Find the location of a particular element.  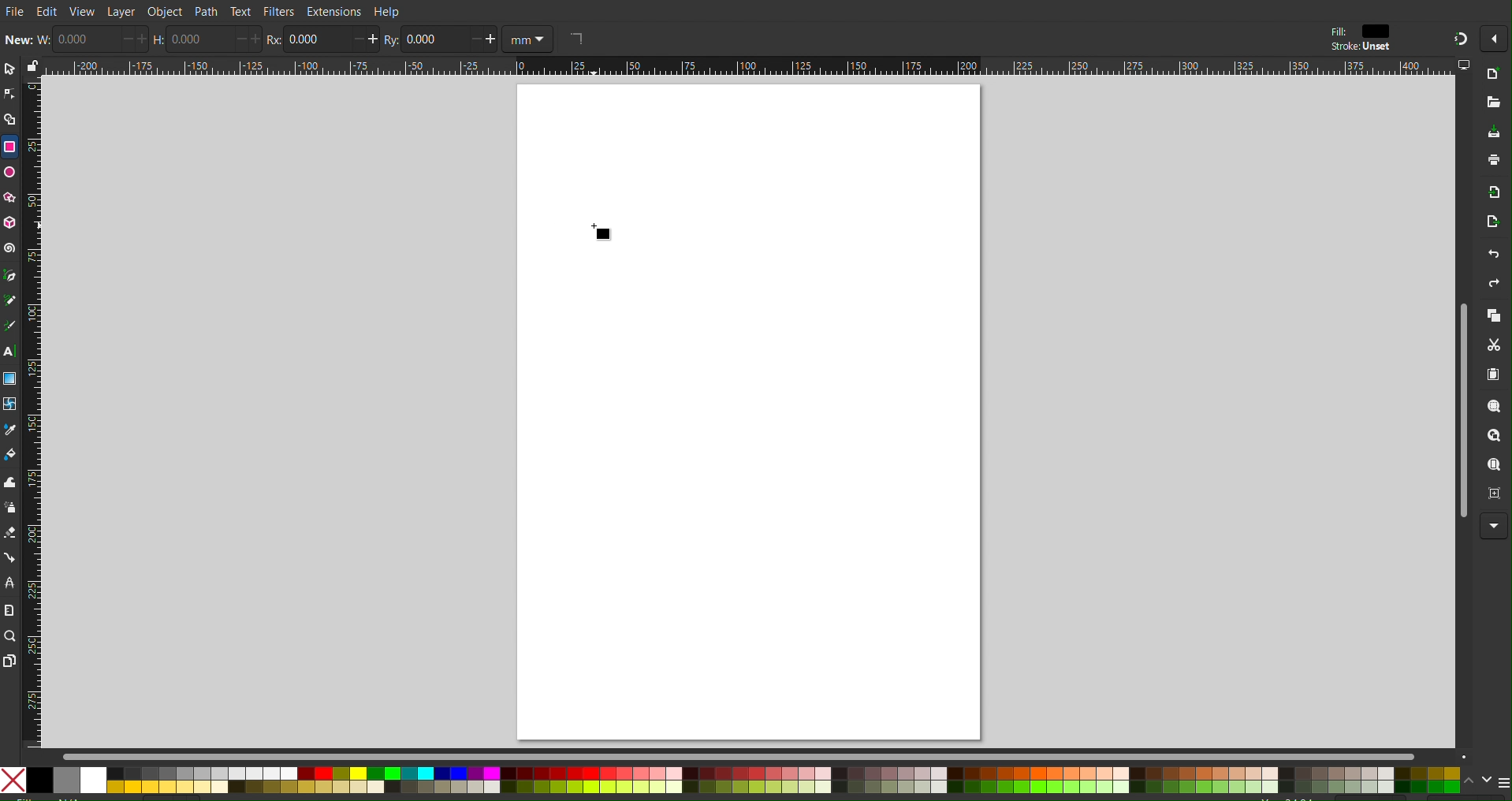

computer icon is located at coordinates (1464, 65).